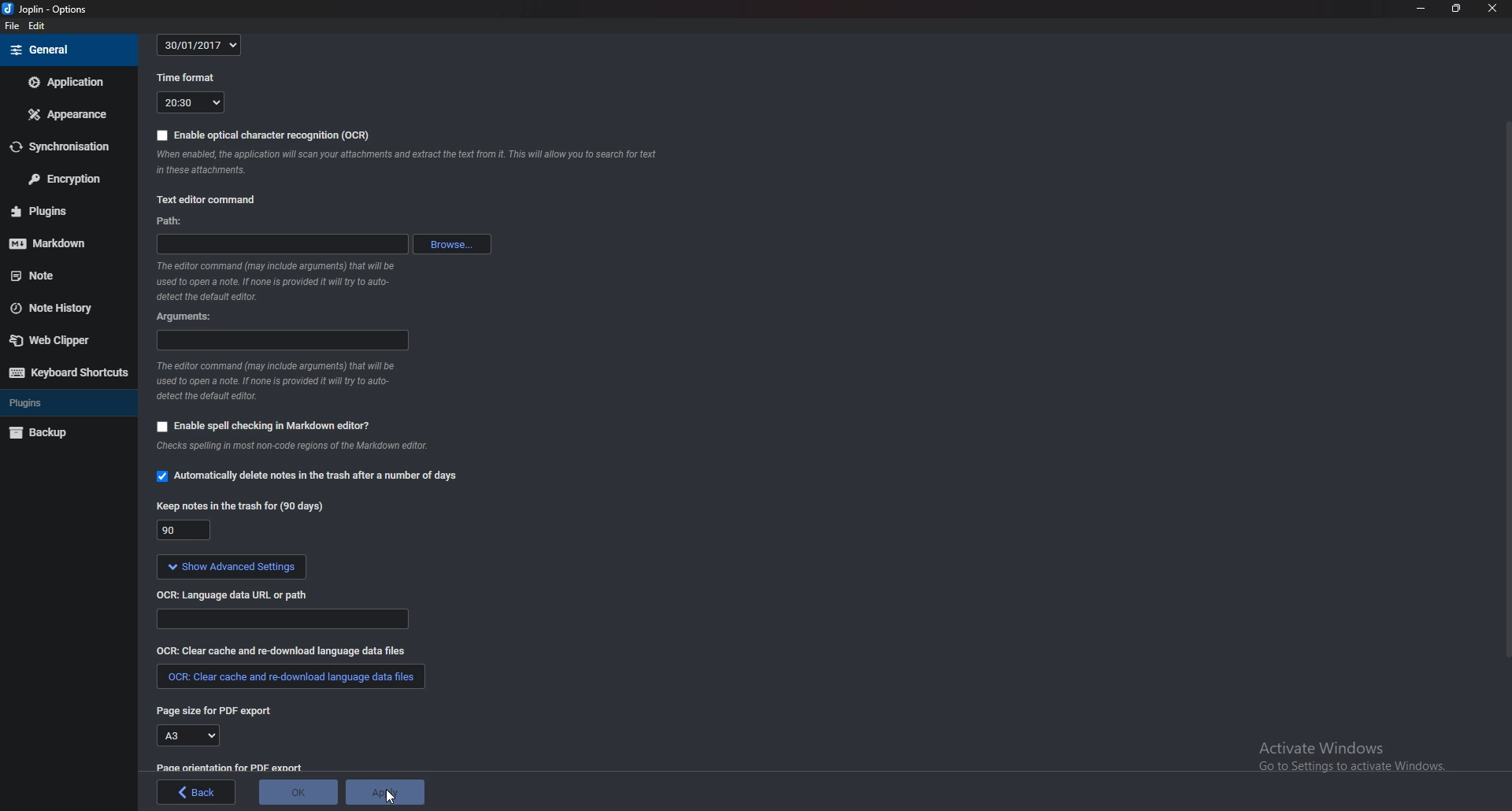 The image size is (1512, 811). I want to click on Plugins, so click(55, 212).